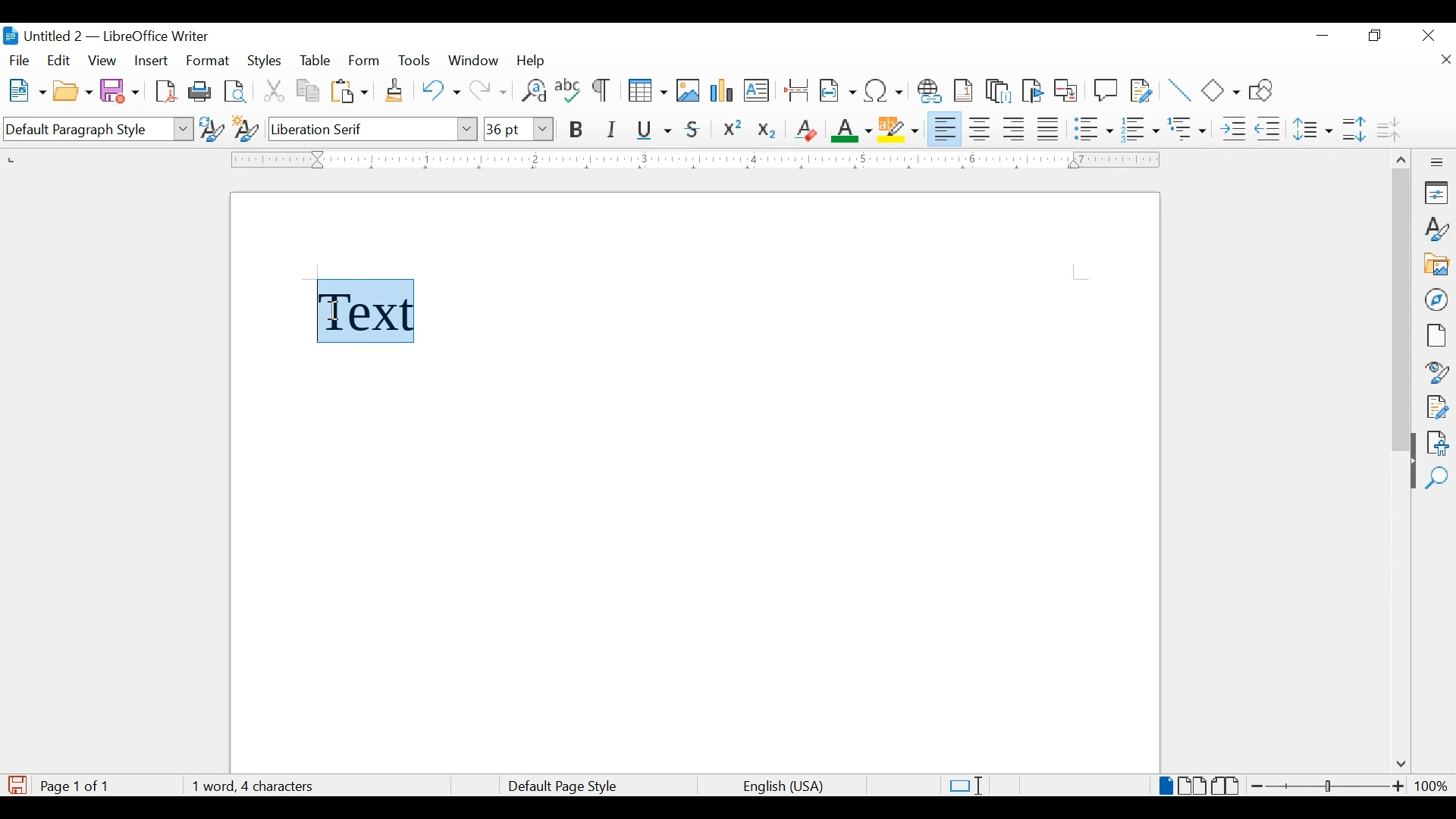  What do you see at coordinates (900, 128) in the screenshot?
I see `character highlighting color` at bounding box center [900, 128].